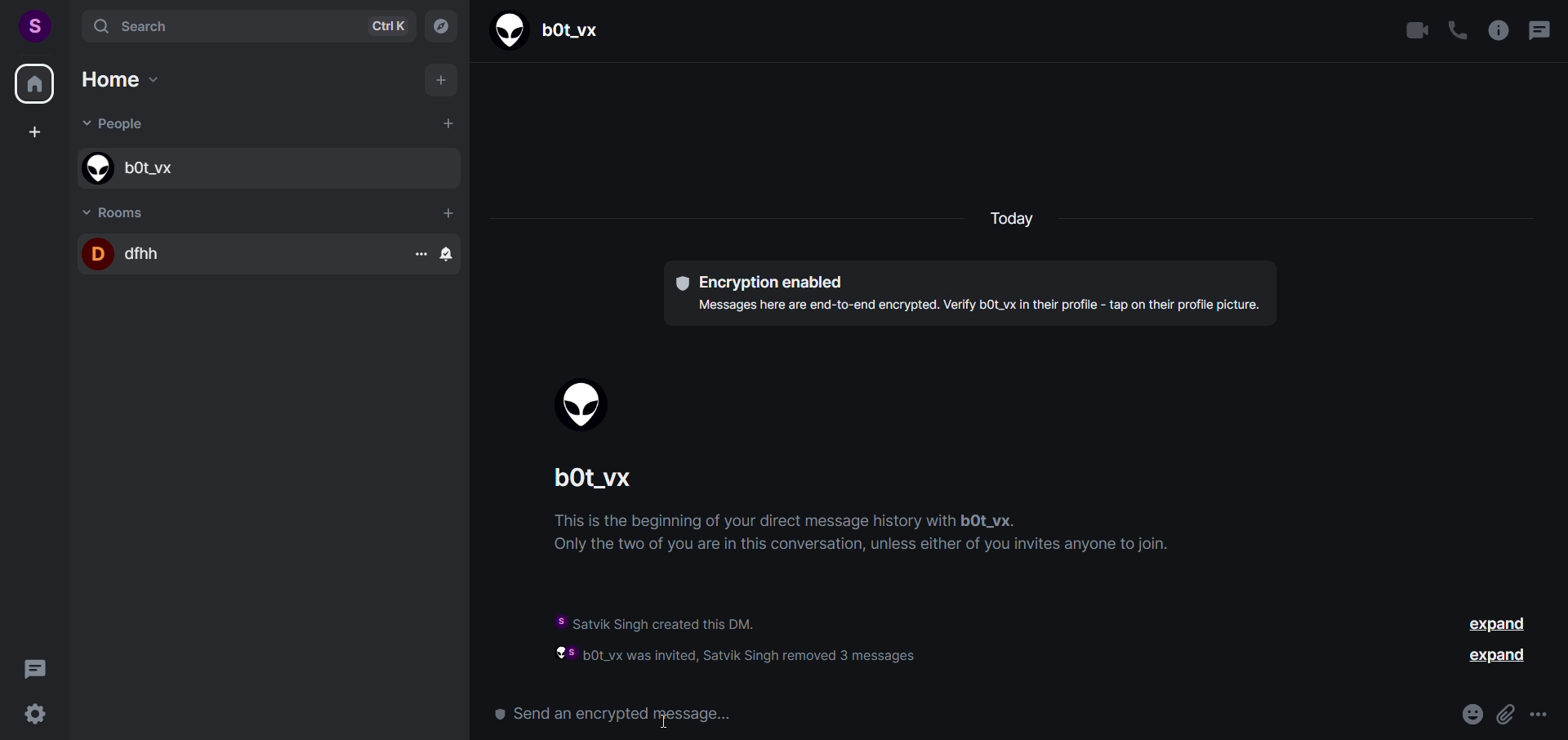 This screenshot has width=1568, height=740. What do you see at coordinates (1538, 33) in the screenshot?
I see `threads` at bounding box center [1538, 33].